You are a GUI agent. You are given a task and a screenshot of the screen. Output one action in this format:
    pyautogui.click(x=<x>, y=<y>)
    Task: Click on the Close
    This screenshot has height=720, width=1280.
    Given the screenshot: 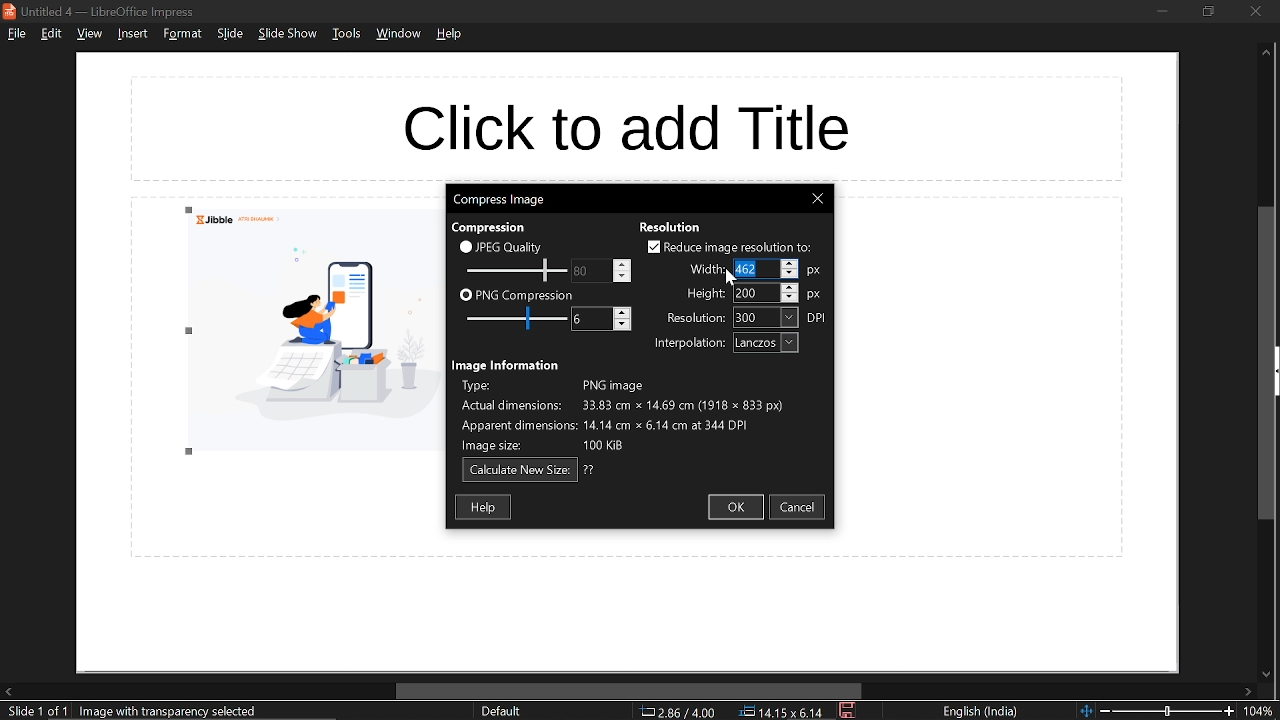 What is the action you would take?
    pyautogui.click(x=817, y=199)
    